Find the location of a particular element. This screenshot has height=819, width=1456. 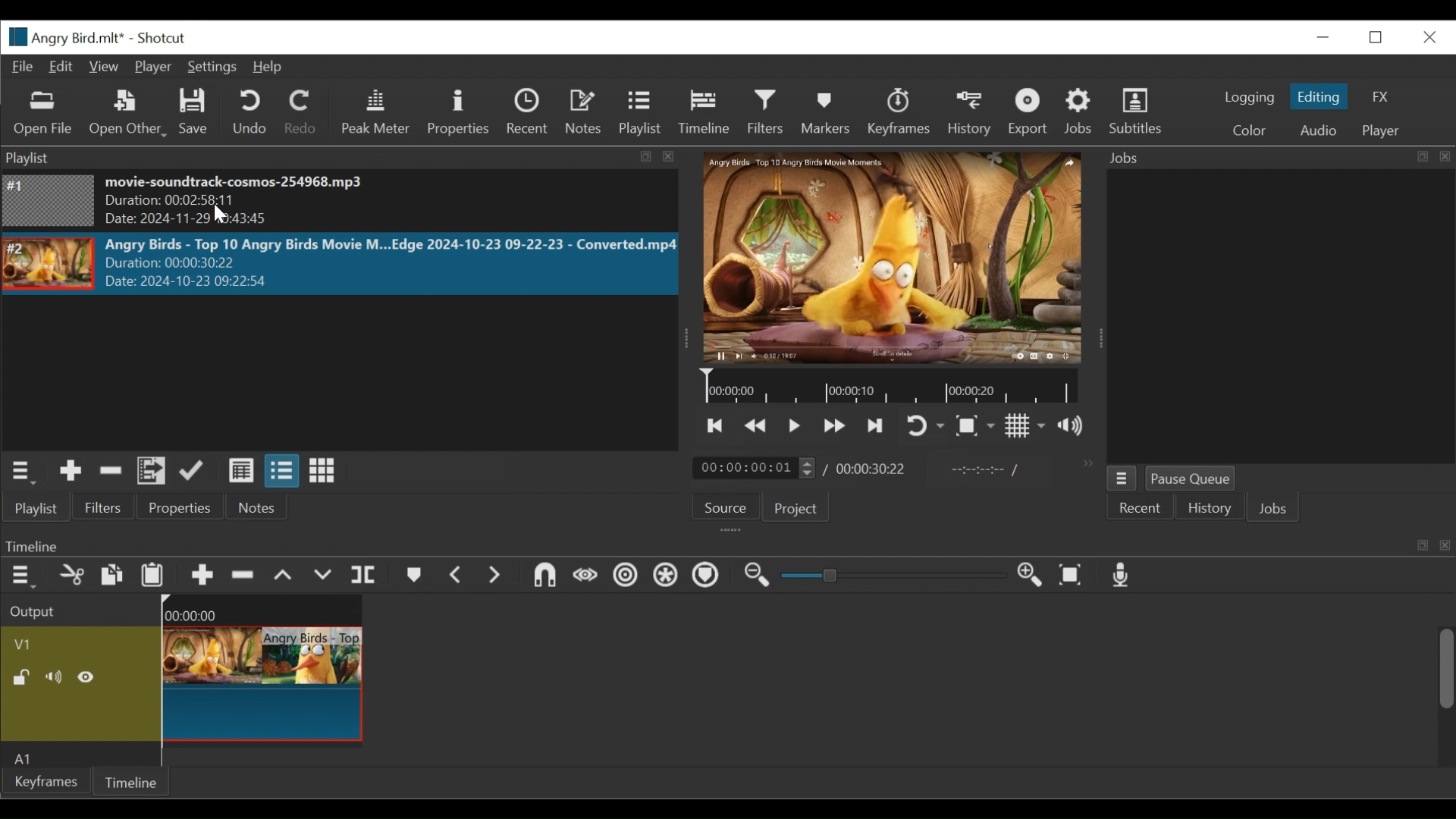

Skip to the next point is located at coordinates (717, 426).